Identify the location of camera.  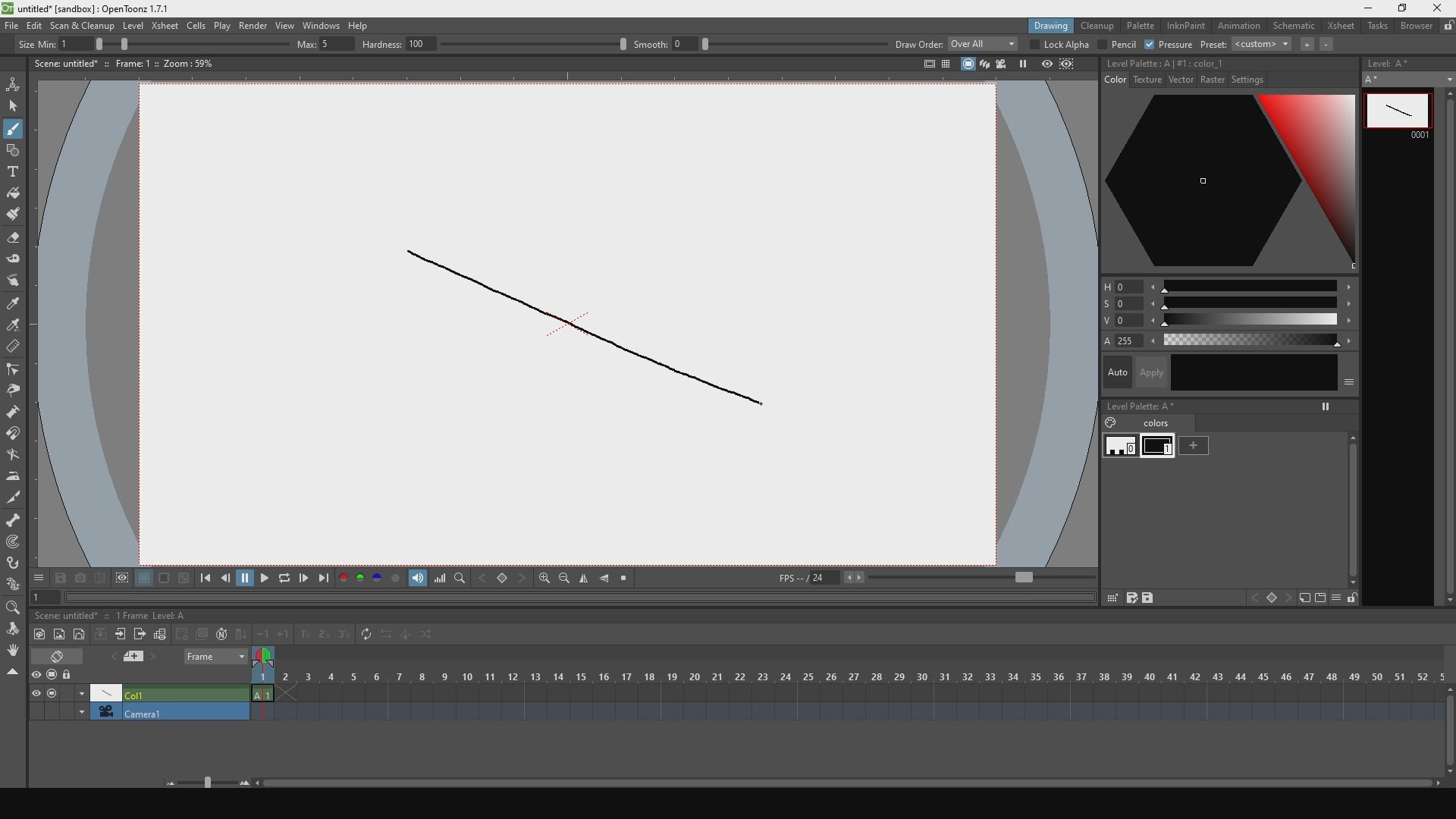
(1003, 64).